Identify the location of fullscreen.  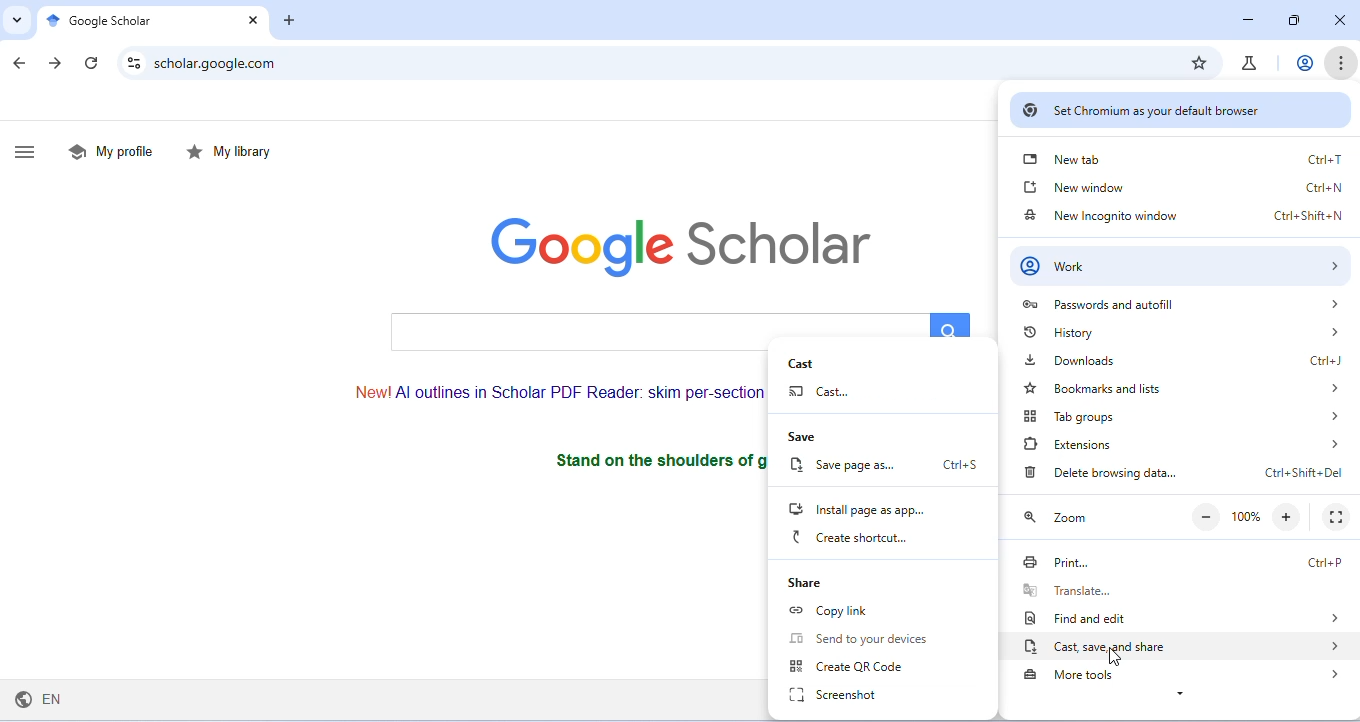
(1338, 516).